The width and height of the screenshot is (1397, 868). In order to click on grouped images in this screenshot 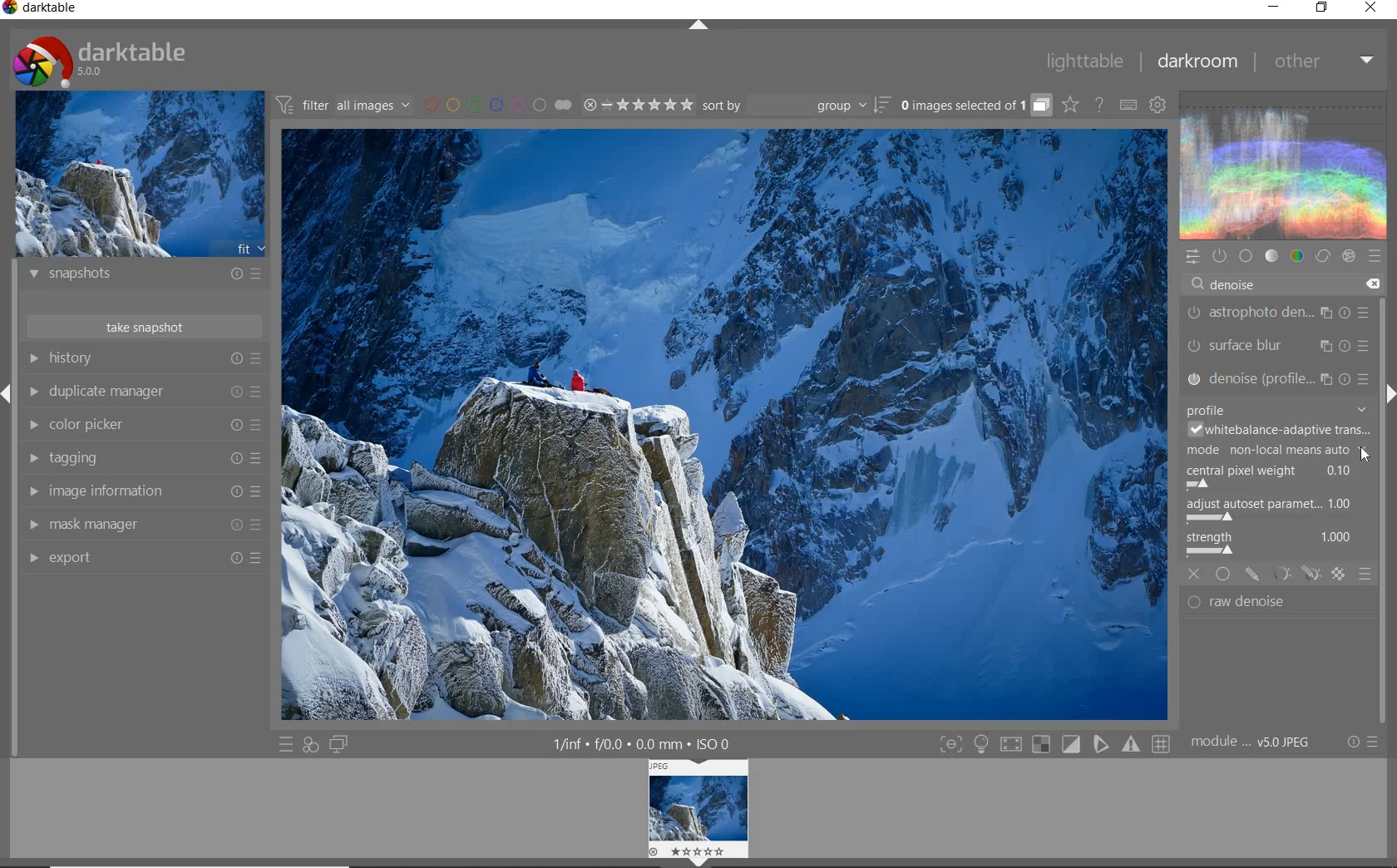, I will do `click(975, 105)`.